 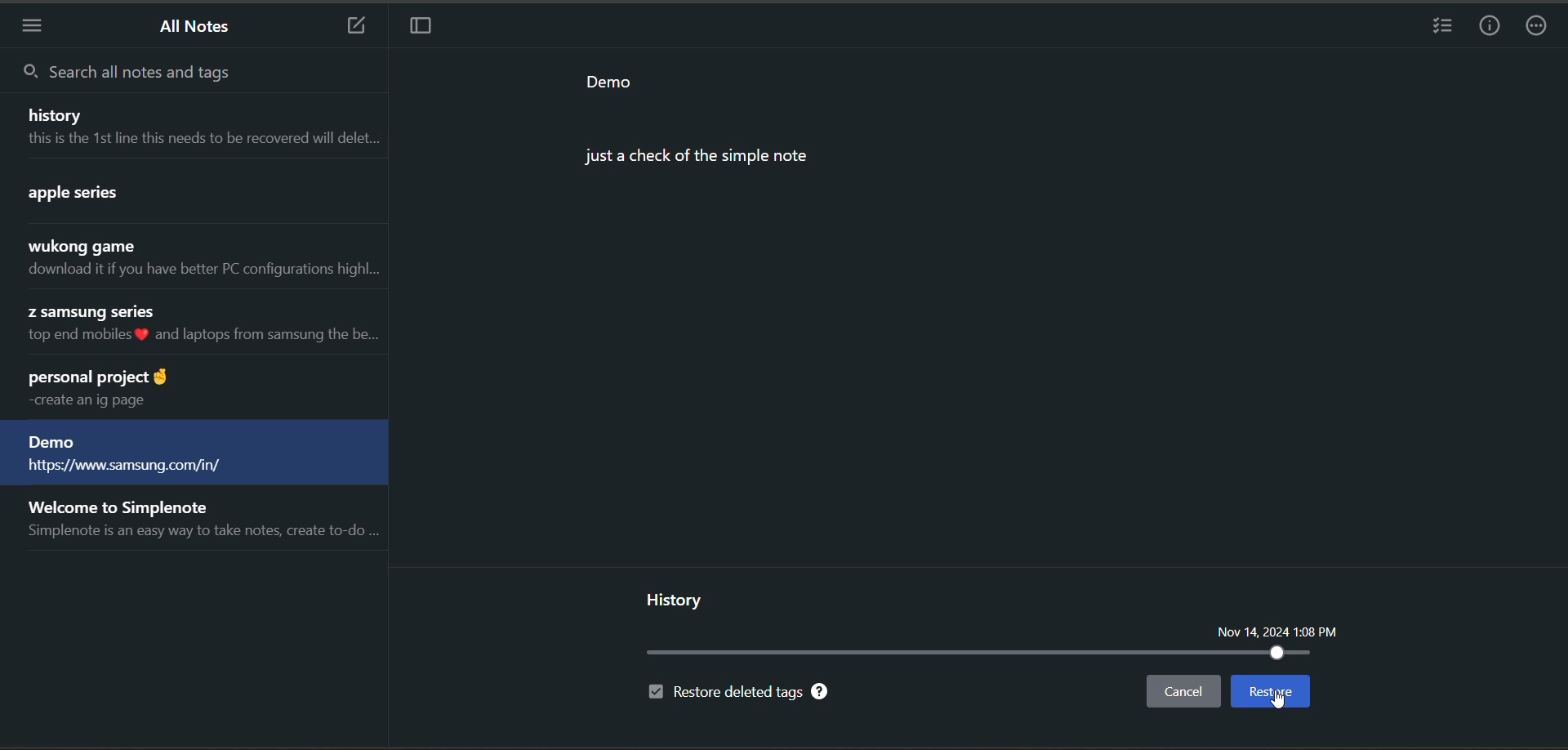 I want to click on cursor, so click(x=1283, y=703).